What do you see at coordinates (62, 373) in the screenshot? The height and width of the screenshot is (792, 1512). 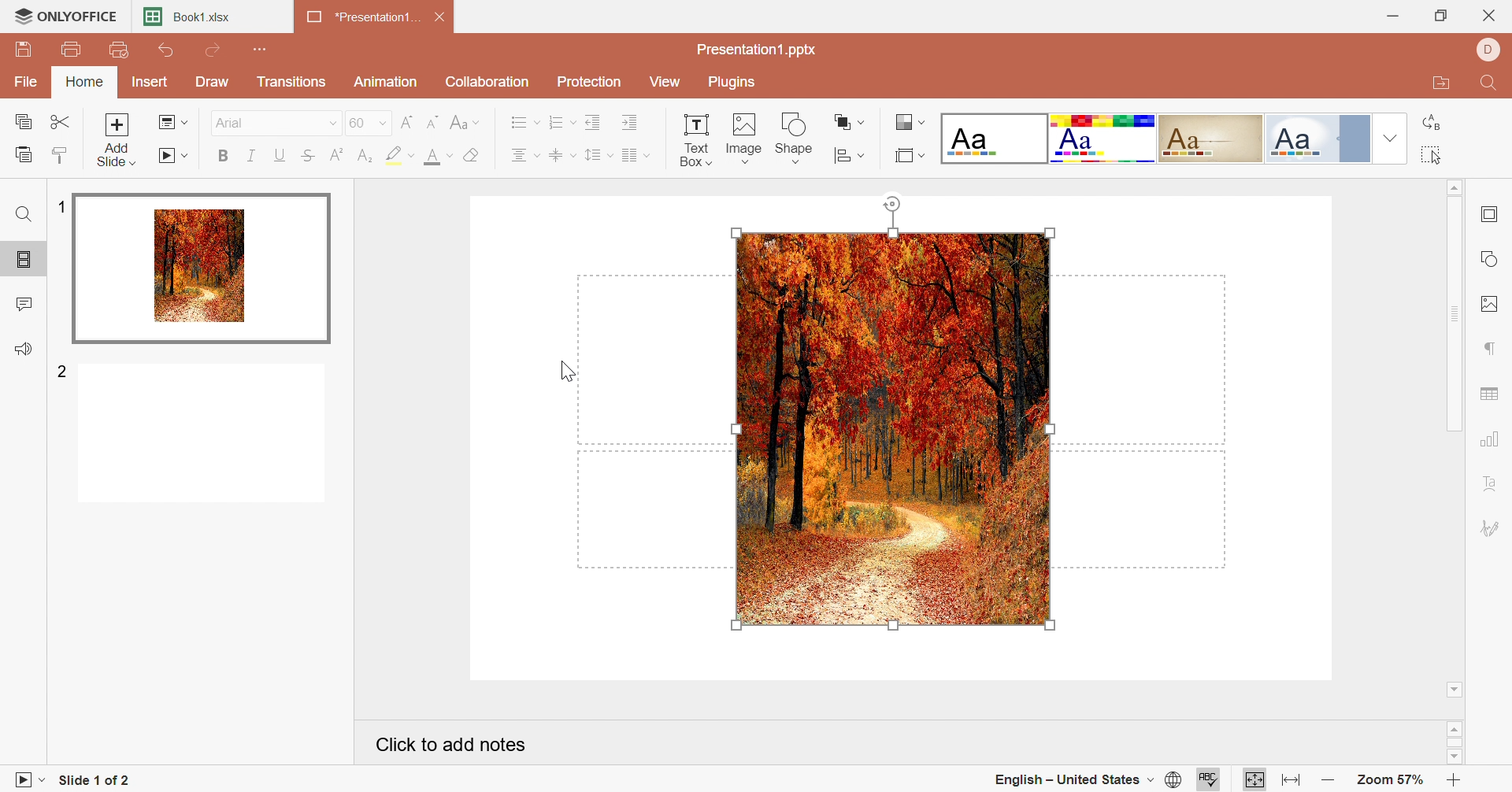 I see `2` at bounding box center [62, 373].